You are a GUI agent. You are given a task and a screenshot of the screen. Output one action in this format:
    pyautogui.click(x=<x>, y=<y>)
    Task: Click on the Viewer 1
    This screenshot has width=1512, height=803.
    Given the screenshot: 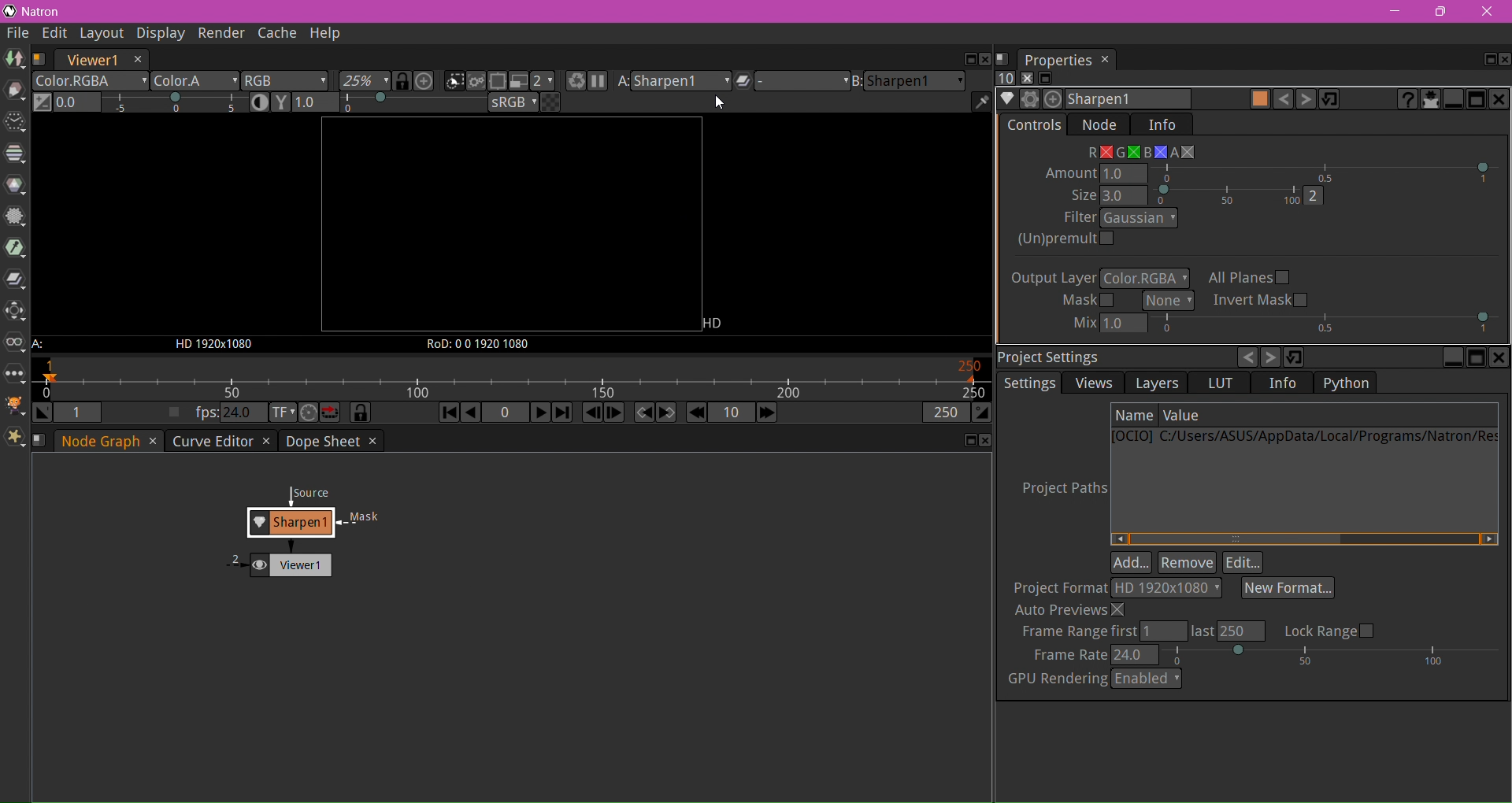 What is the action you would take?
    pyautogui.click(x=276, y=562)
    